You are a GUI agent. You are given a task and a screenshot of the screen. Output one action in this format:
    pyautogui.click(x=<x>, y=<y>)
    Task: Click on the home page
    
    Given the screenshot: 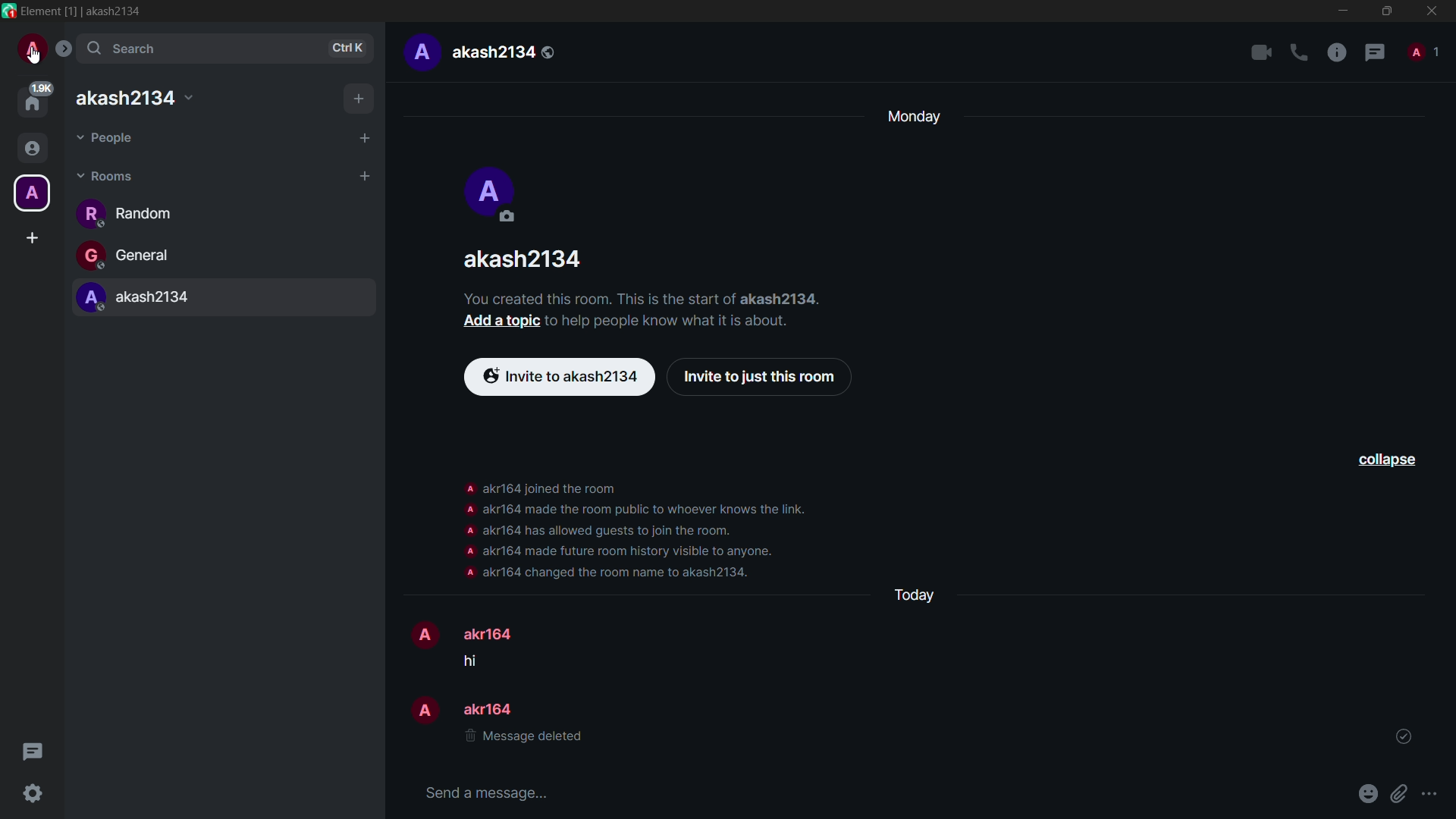 What is the action you would take?
    pyautogui.click(x=35, y=99)
    